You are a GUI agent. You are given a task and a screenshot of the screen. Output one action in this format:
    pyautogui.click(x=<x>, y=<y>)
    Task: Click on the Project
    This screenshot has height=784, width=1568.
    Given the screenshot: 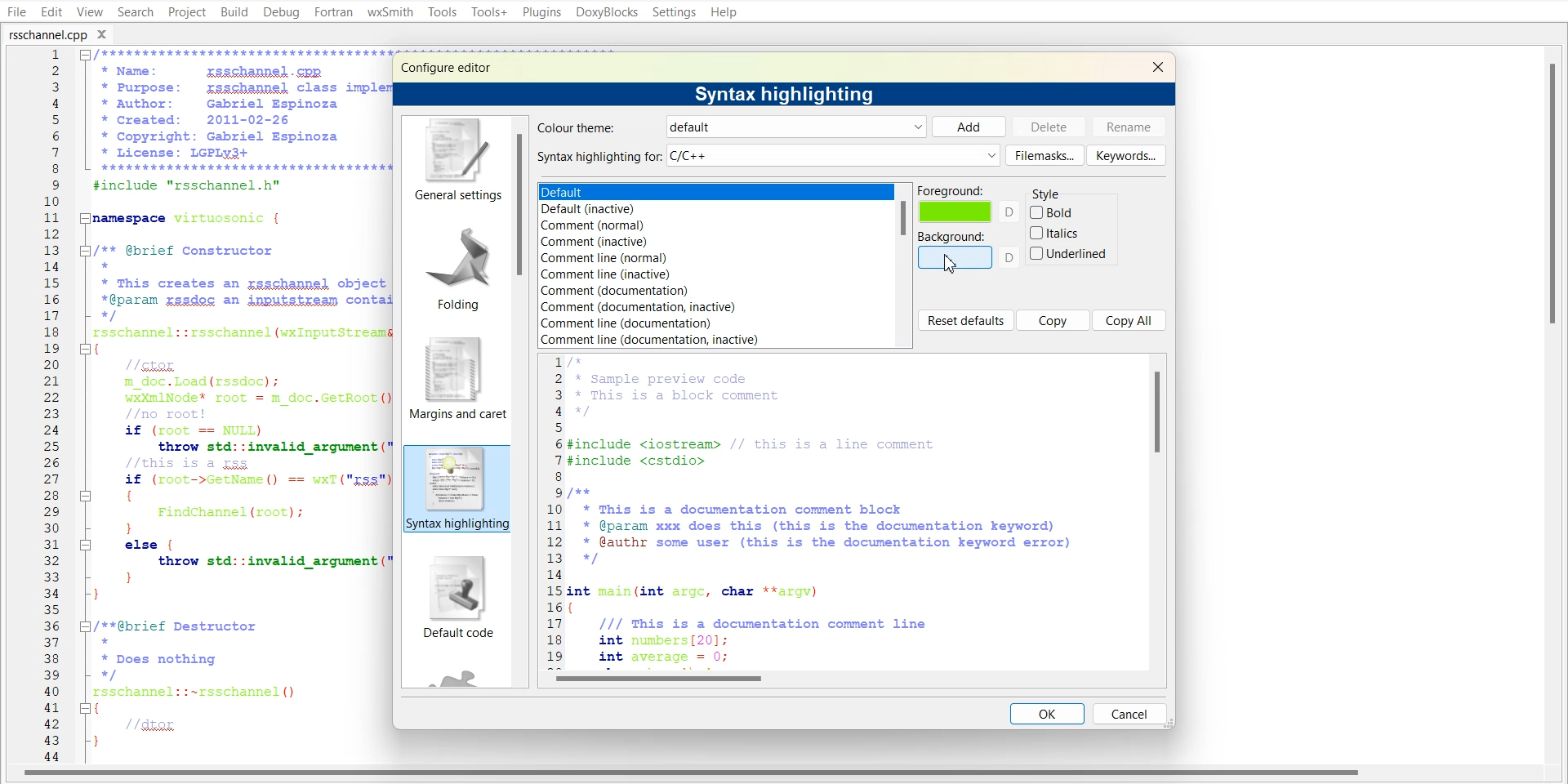 What is the action you would take?
    pyautogui.click(x=186, y=11)
    